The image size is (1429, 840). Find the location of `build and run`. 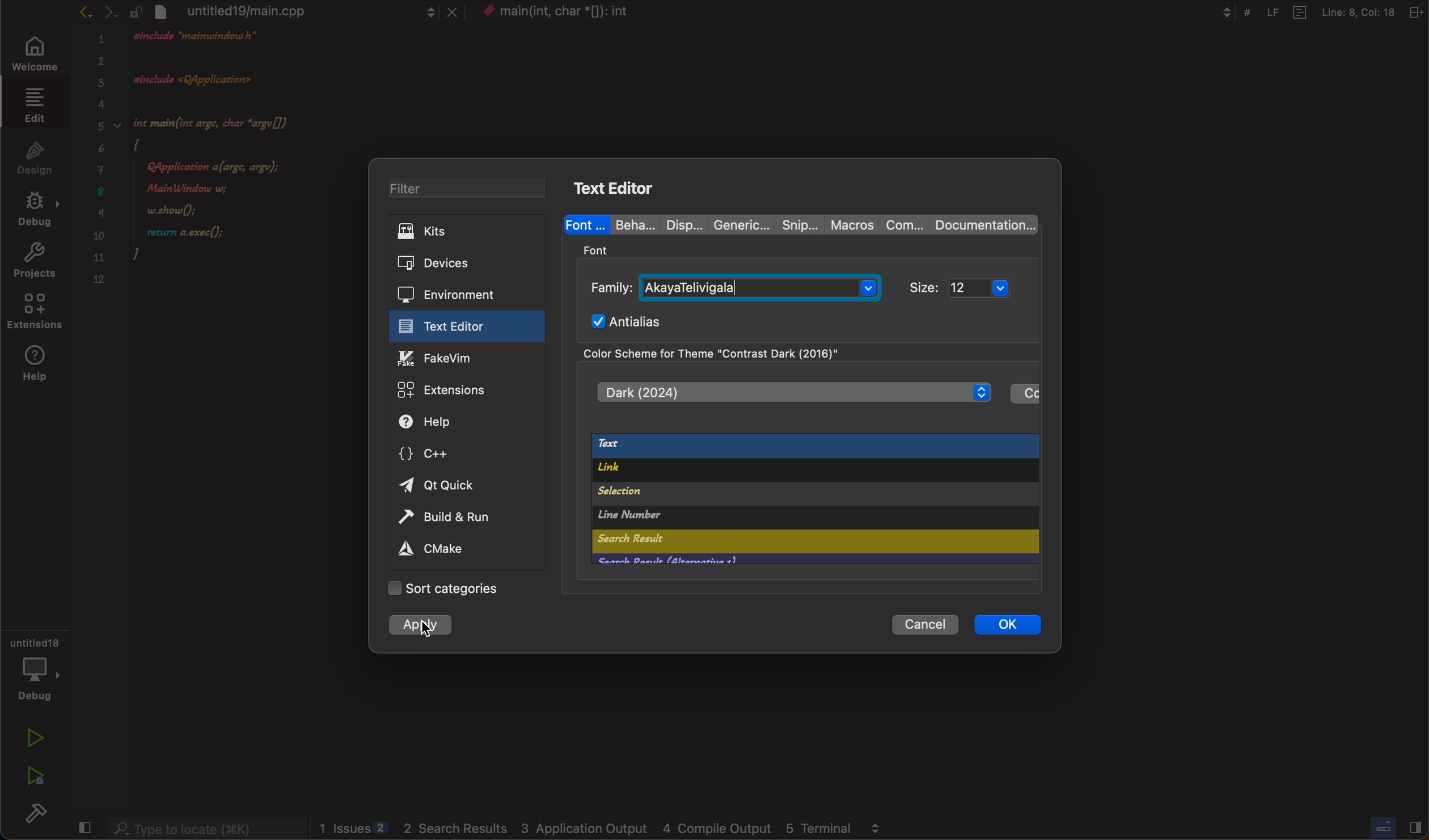

build and run is located at coordinates (458, 519).